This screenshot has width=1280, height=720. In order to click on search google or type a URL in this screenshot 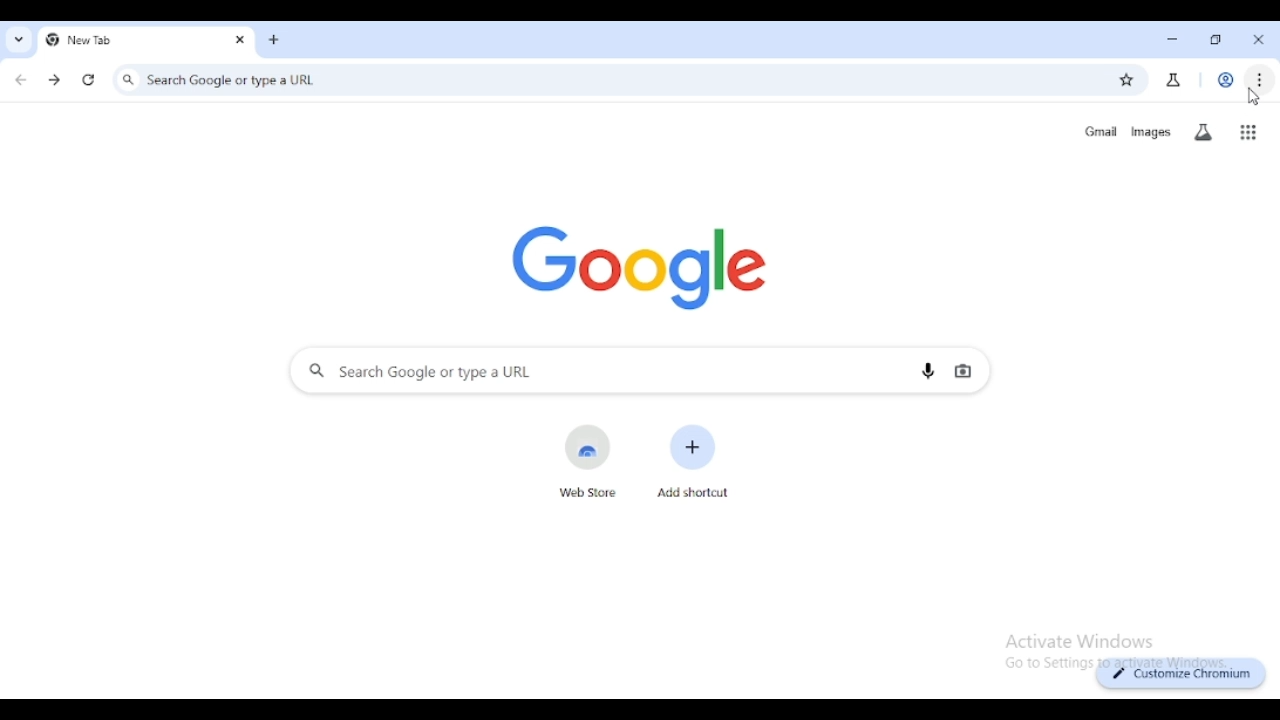, I will do `click(598, 80)`.